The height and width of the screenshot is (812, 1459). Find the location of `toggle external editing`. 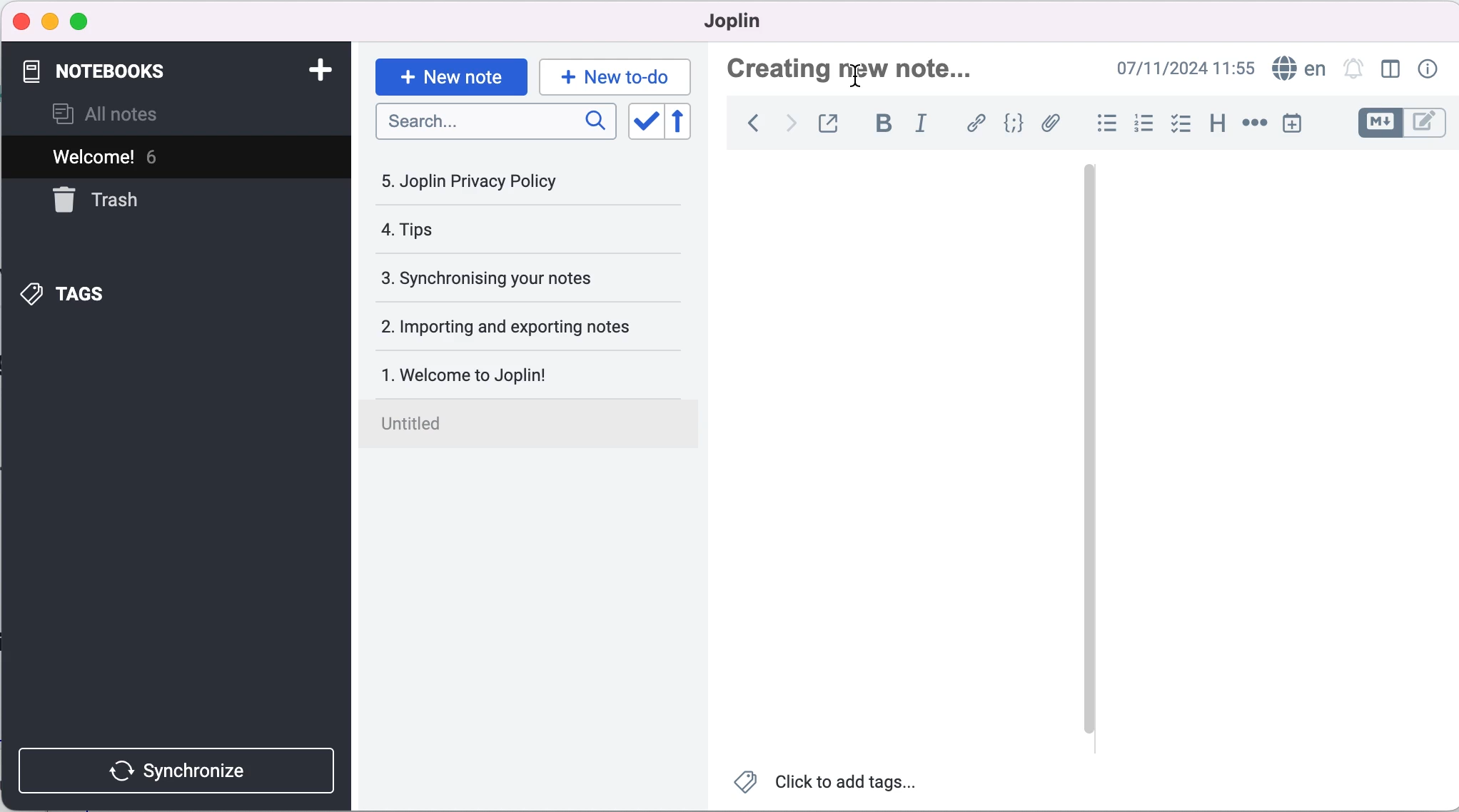

toggle external editing is located at coordinates (828, 125).